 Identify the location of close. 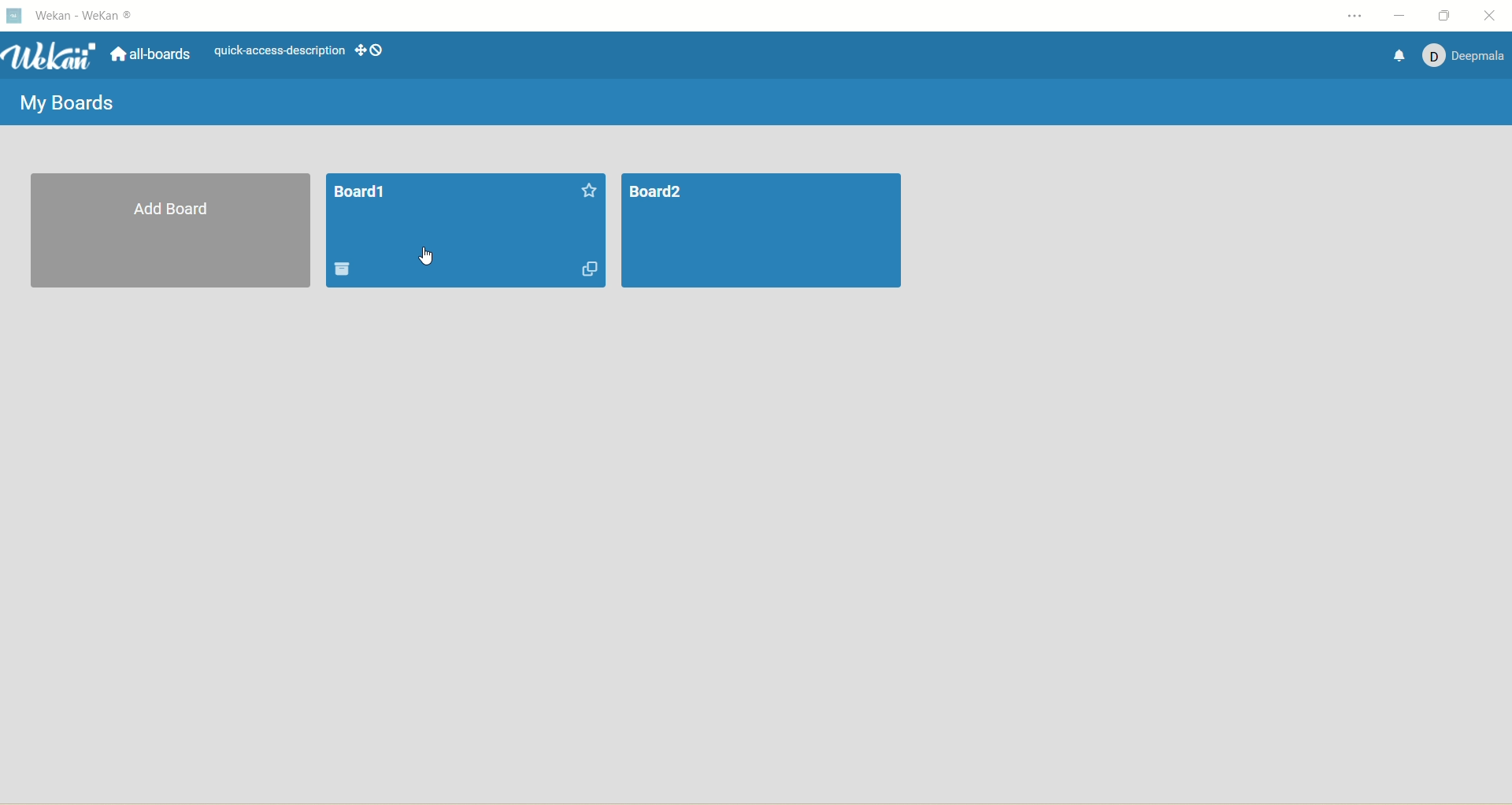
(1493, 15).